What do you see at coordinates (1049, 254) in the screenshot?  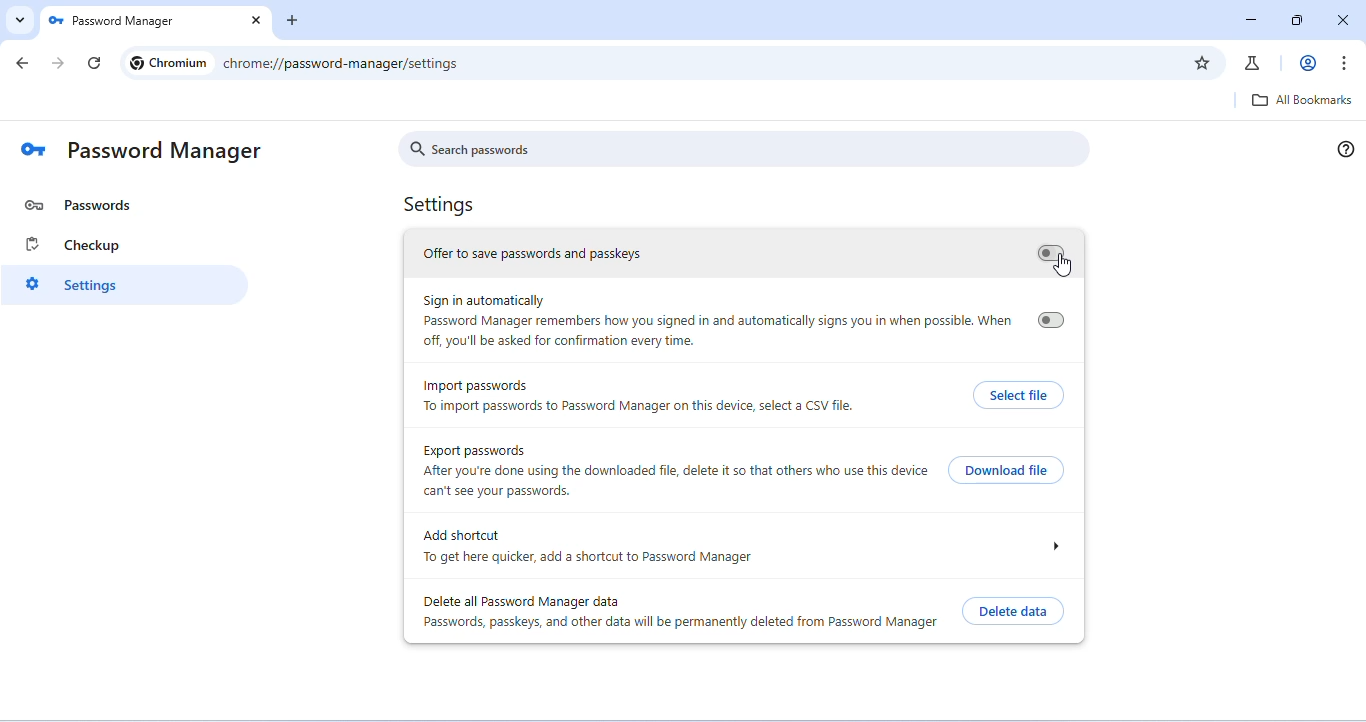 I see `turn on/ off save password` at bounding box center [1049, 254].